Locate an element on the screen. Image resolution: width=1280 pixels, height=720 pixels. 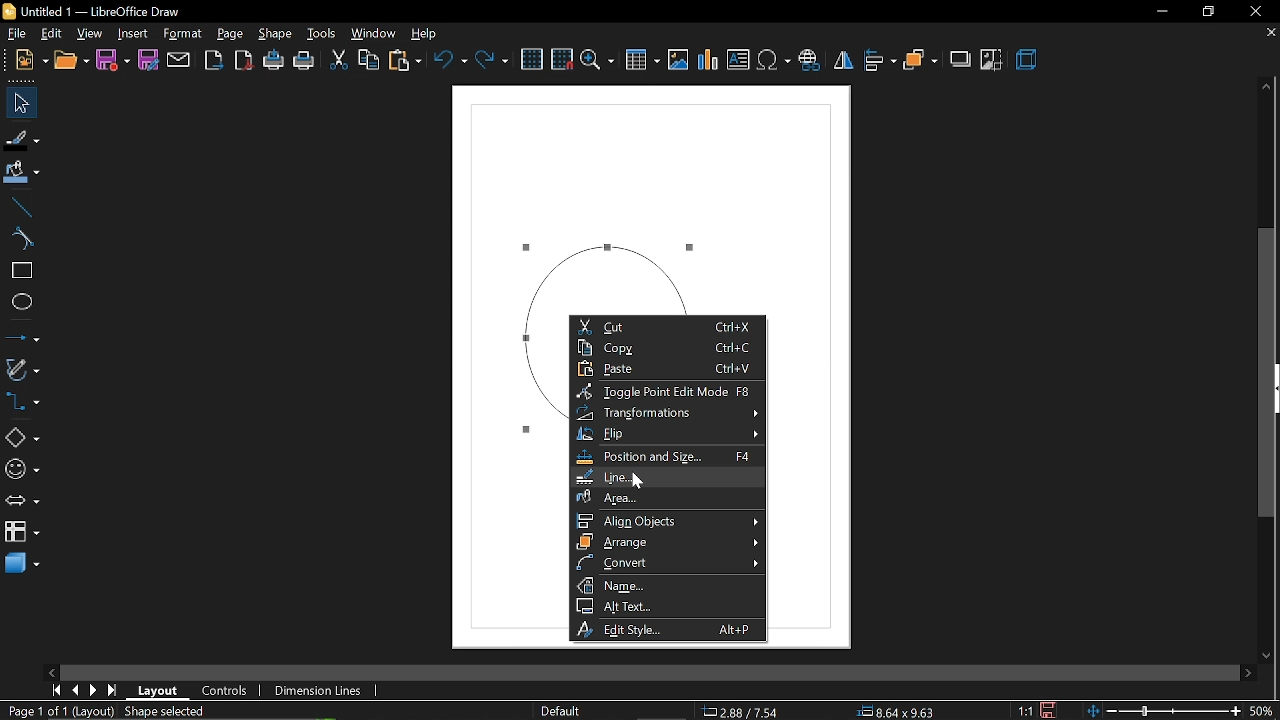
name is located at coordinates (669, 585).